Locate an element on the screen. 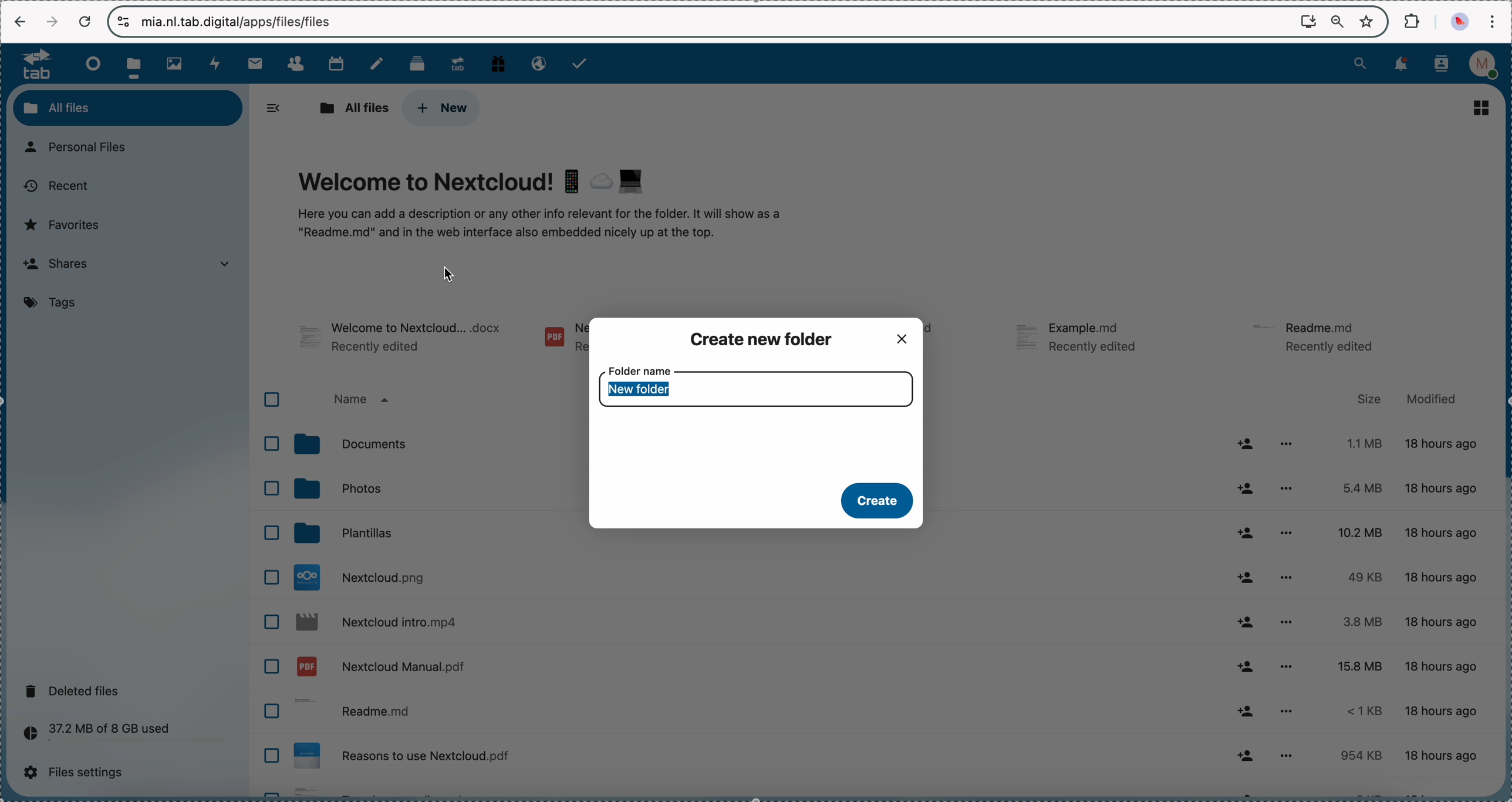  photos is located at coordinates (435, 491).